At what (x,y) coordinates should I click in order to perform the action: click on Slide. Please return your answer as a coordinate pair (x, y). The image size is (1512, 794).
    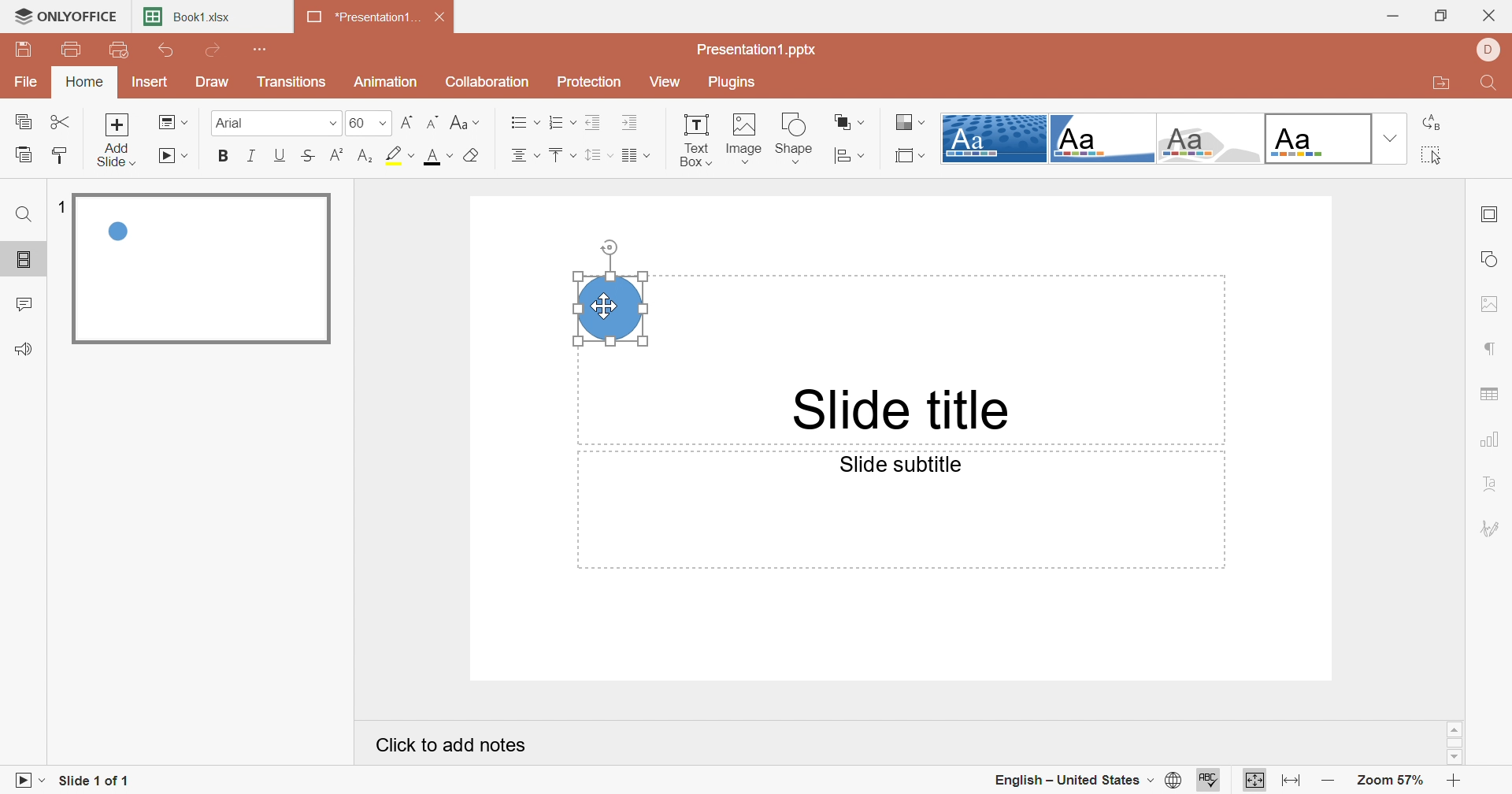
    Looking at the image, I should click on (202, 270).